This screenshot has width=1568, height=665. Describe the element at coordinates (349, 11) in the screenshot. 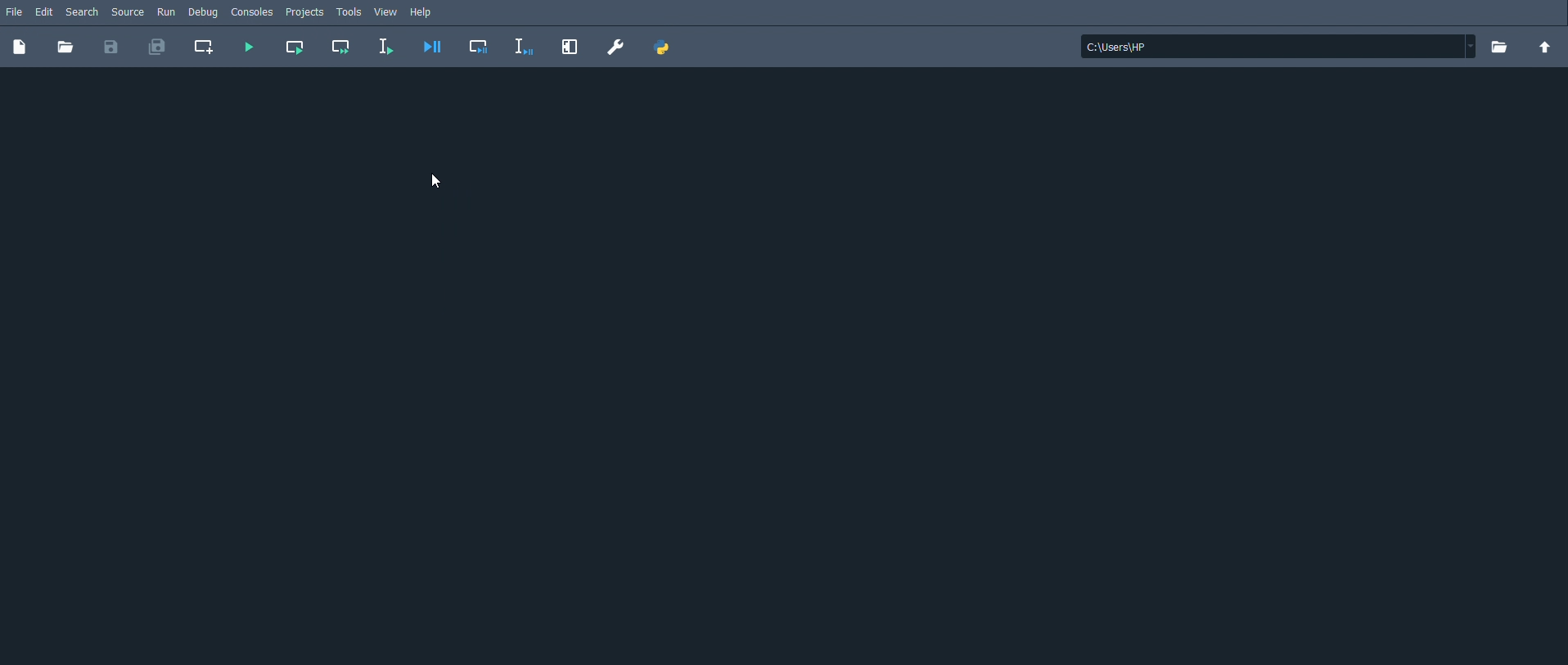

I see `Tools` at that location.